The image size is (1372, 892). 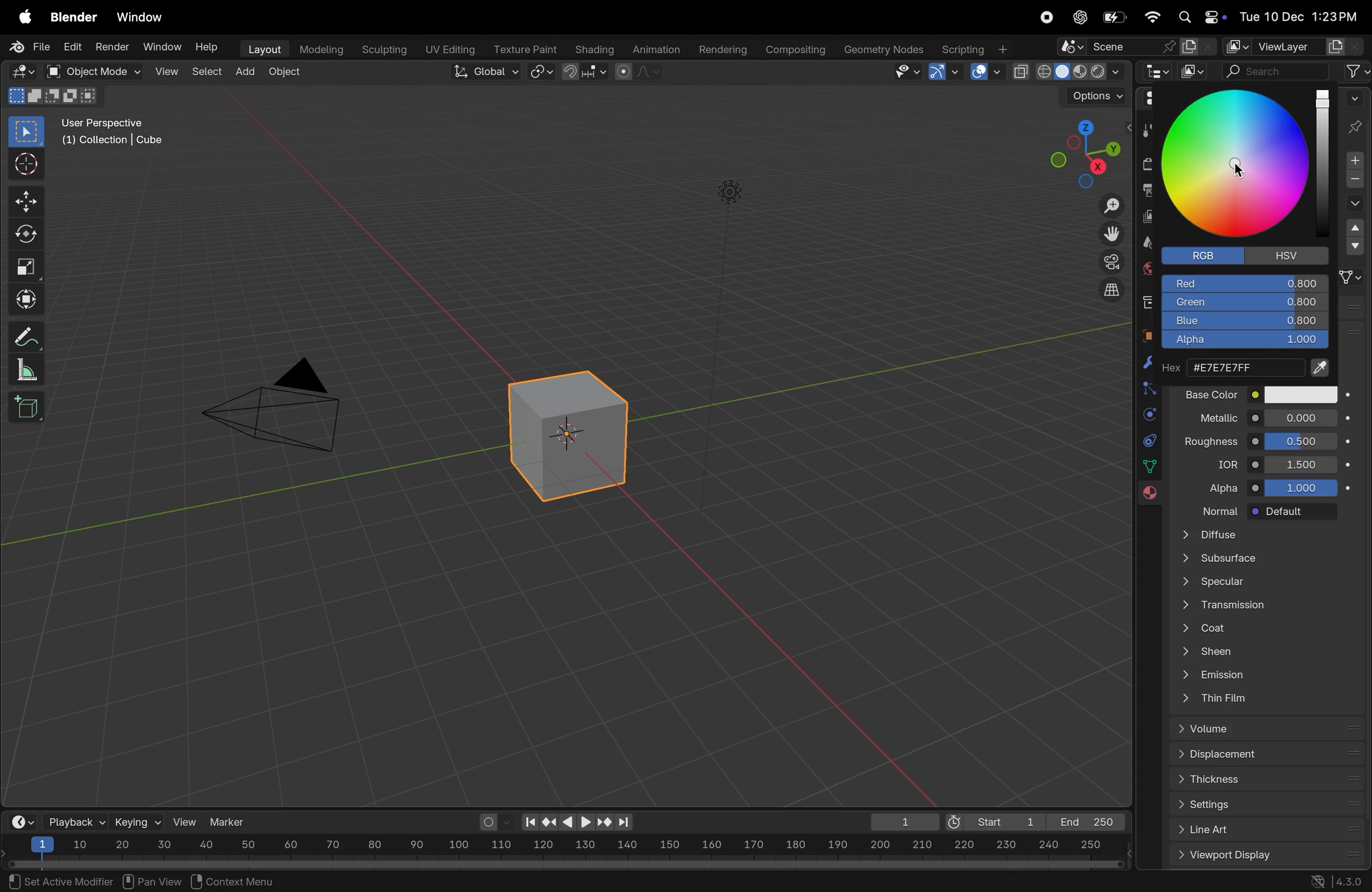 I want to click on tool, so click(x=1146, y=133).